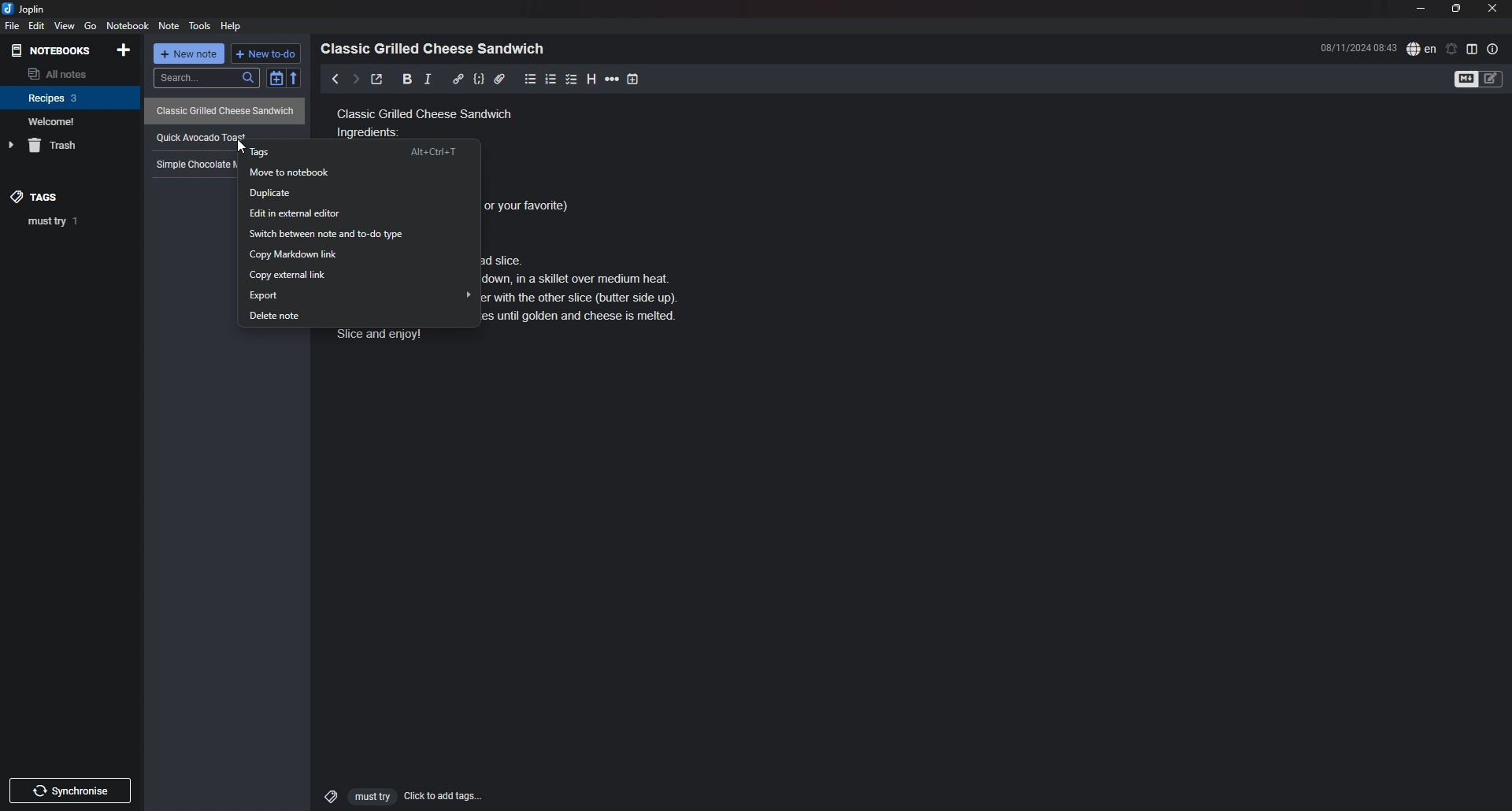 The image size is (1512, 811). Describe the element at coordinates (572, 79) in the screenshot. I see `checkbox` at that location.